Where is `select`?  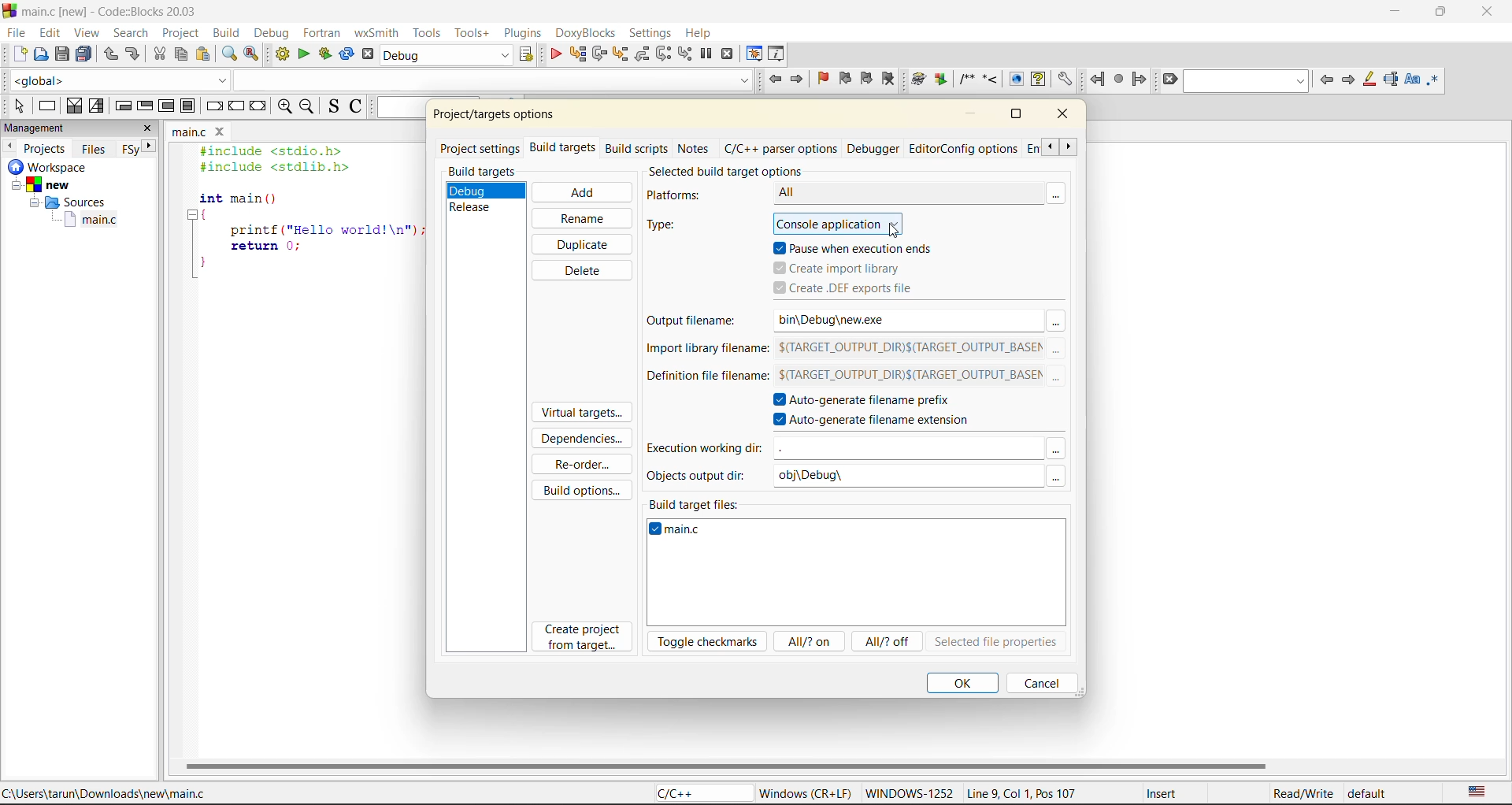
select is located at coordinates (18, 106).